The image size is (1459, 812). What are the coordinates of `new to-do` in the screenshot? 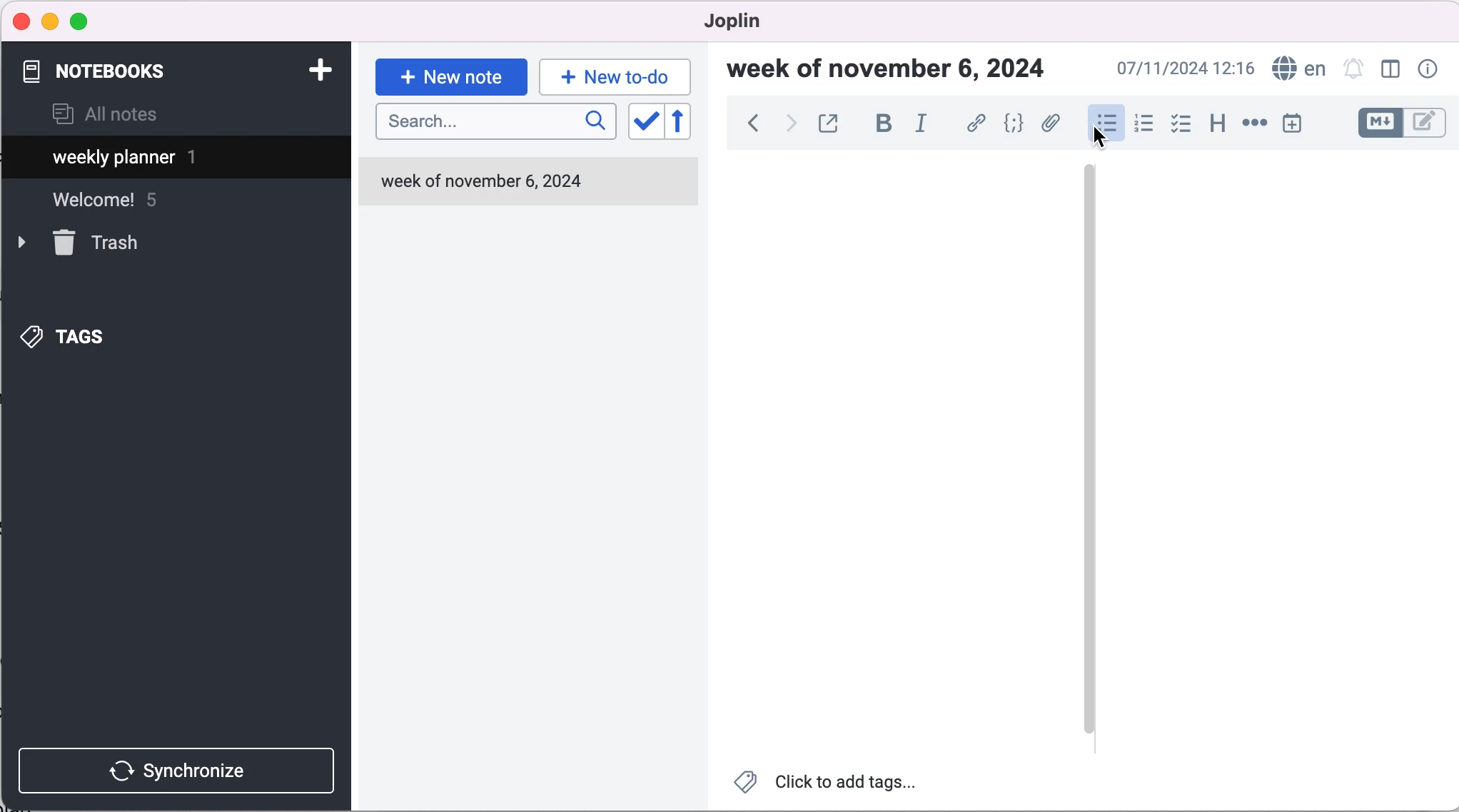 It's located at (612, 76).